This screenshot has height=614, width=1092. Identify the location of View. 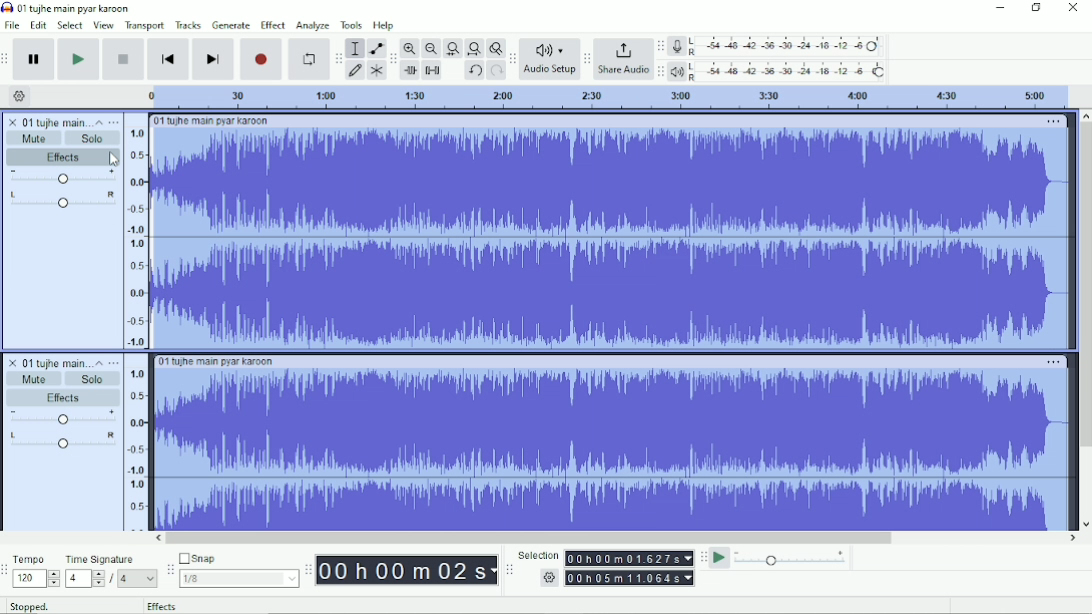
(104, 25).